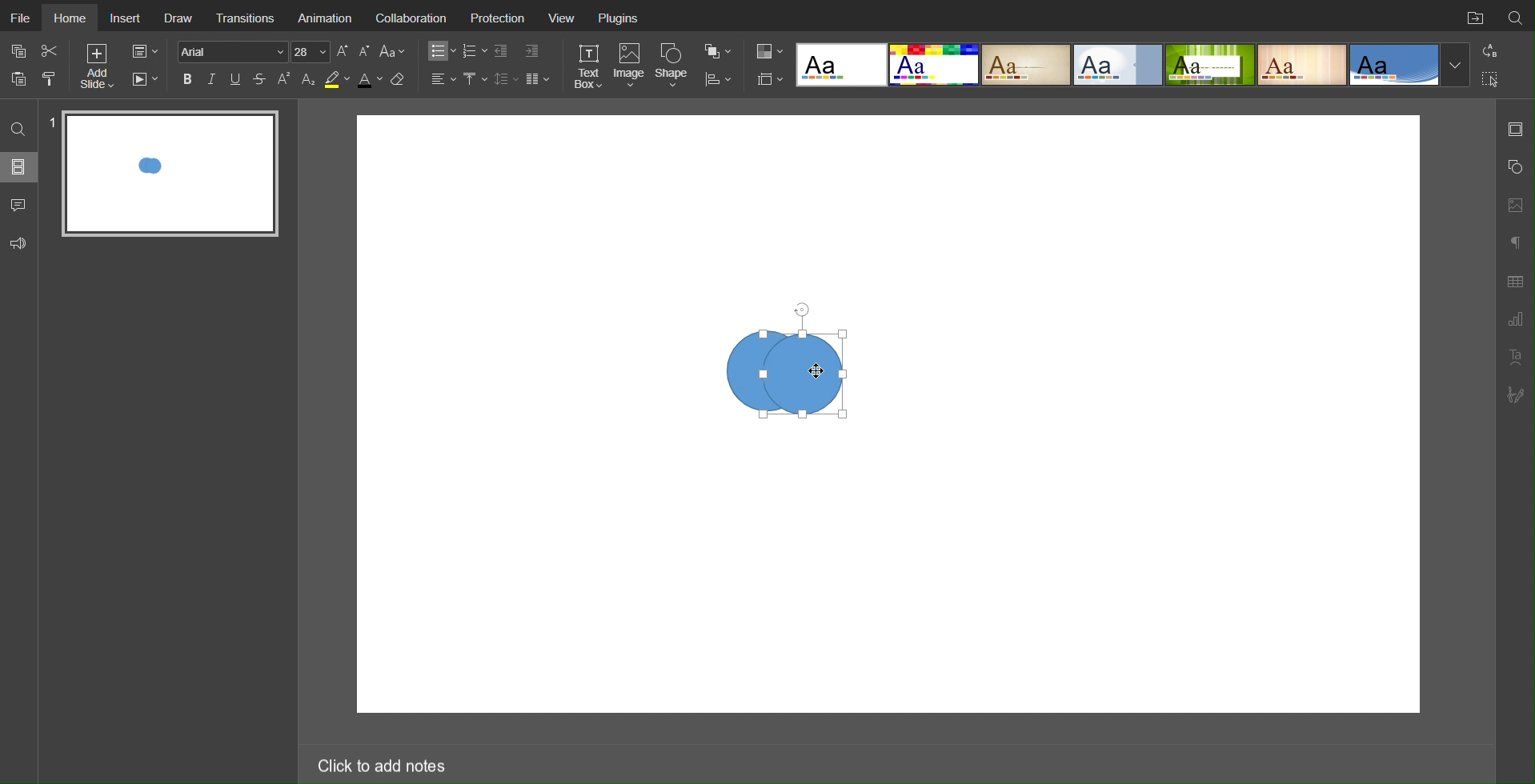  Describe the element at coordinates (567, 21) in the screenshot. I see `View` at that location.